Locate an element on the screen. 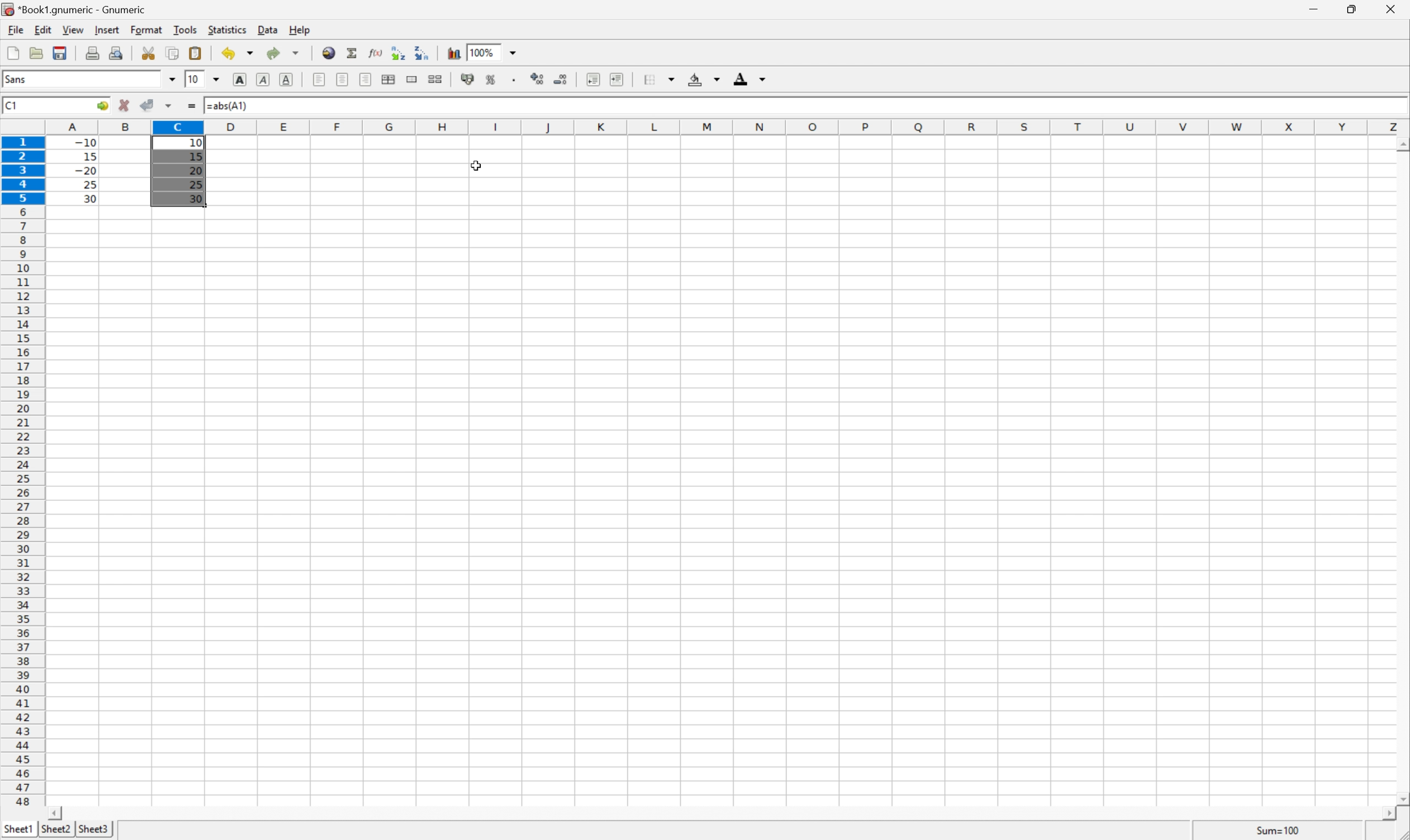 The height and width of the screenshot is (840, 1410). Restore down is located at coordinates (1349, 10).